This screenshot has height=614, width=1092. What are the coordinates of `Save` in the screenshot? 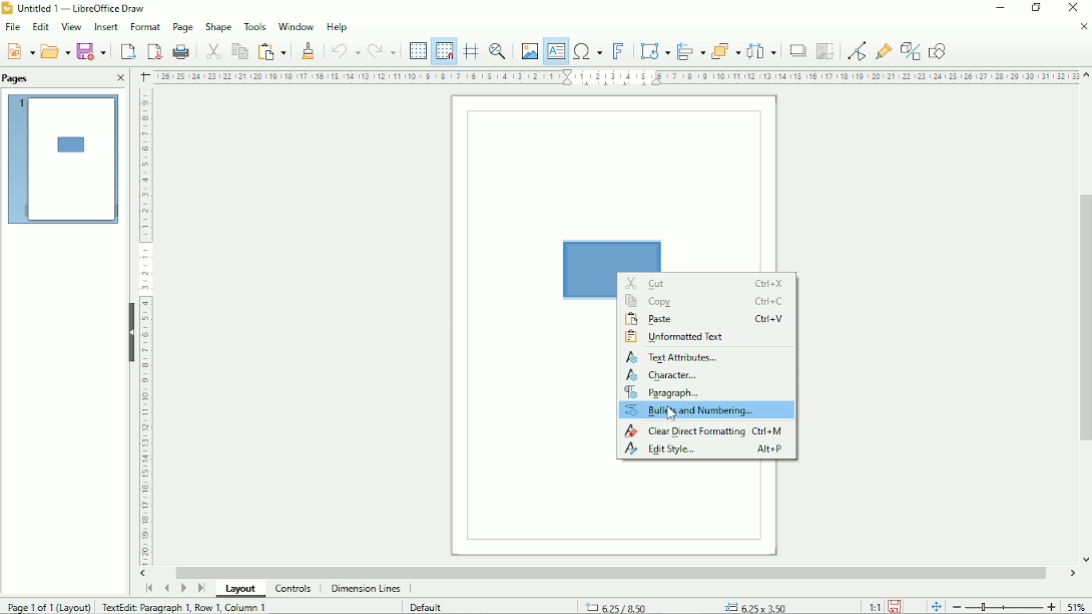 It's located at (895, 607).